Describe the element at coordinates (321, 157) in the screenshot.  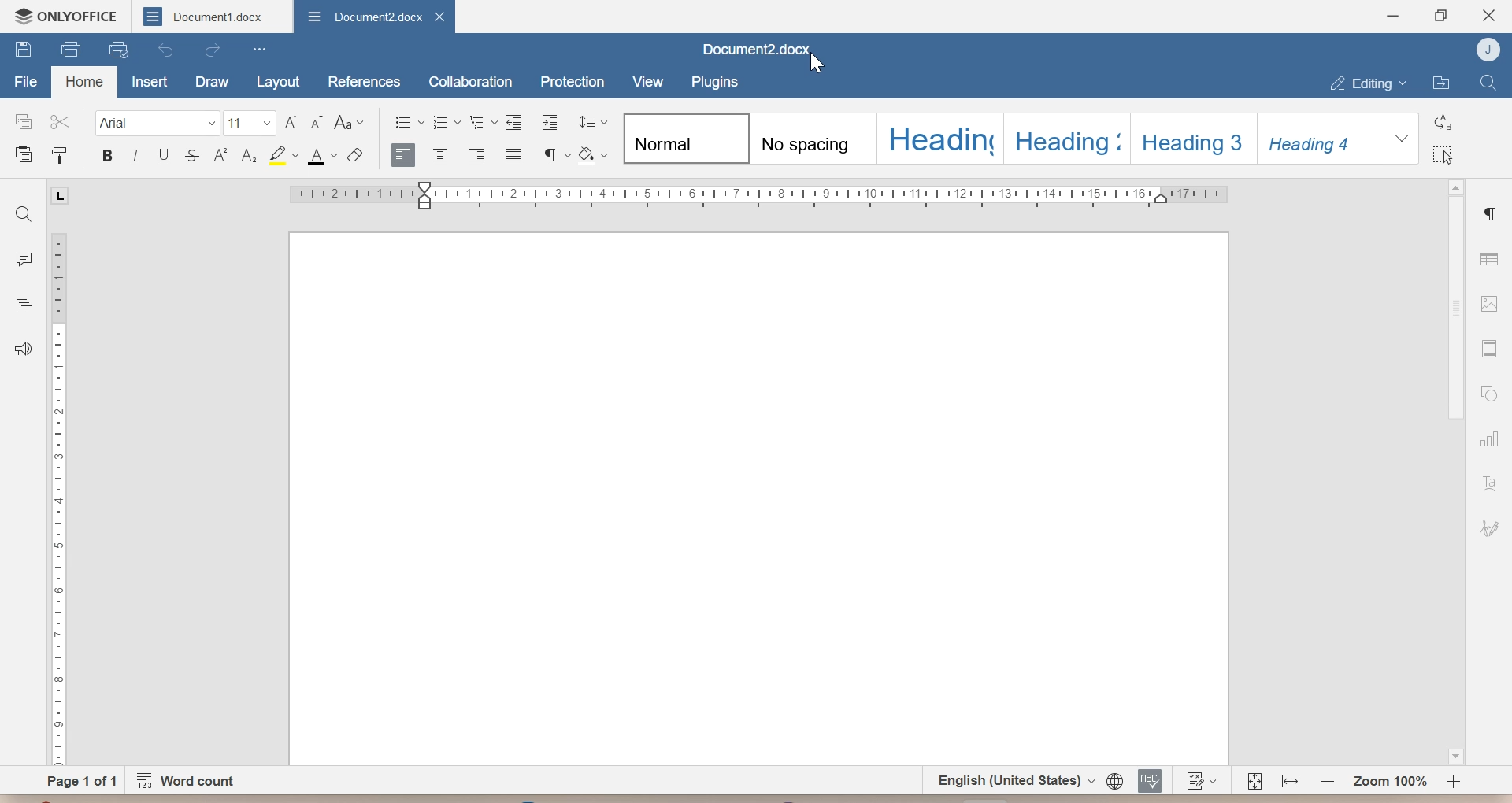
I see `` at that location.